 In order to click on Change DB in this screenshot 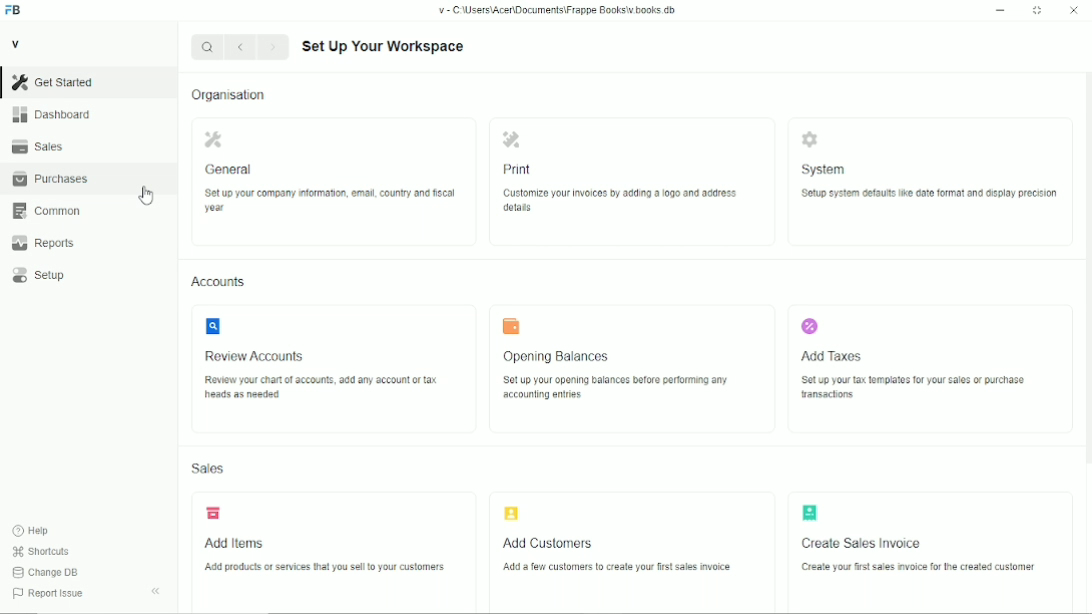, I will do `click(45, 571)`.